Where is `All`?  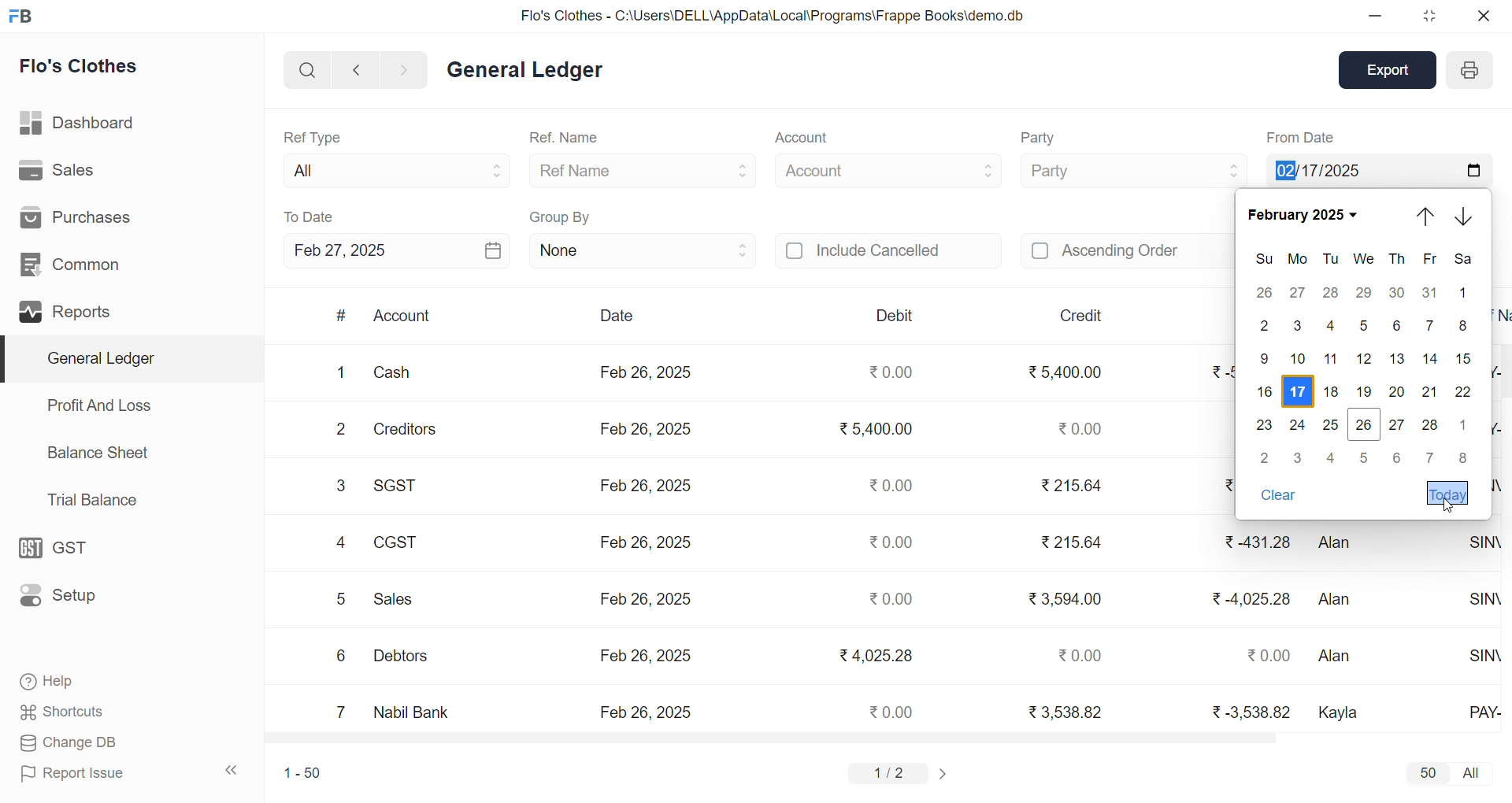
All is located at coordinates (392, 168).